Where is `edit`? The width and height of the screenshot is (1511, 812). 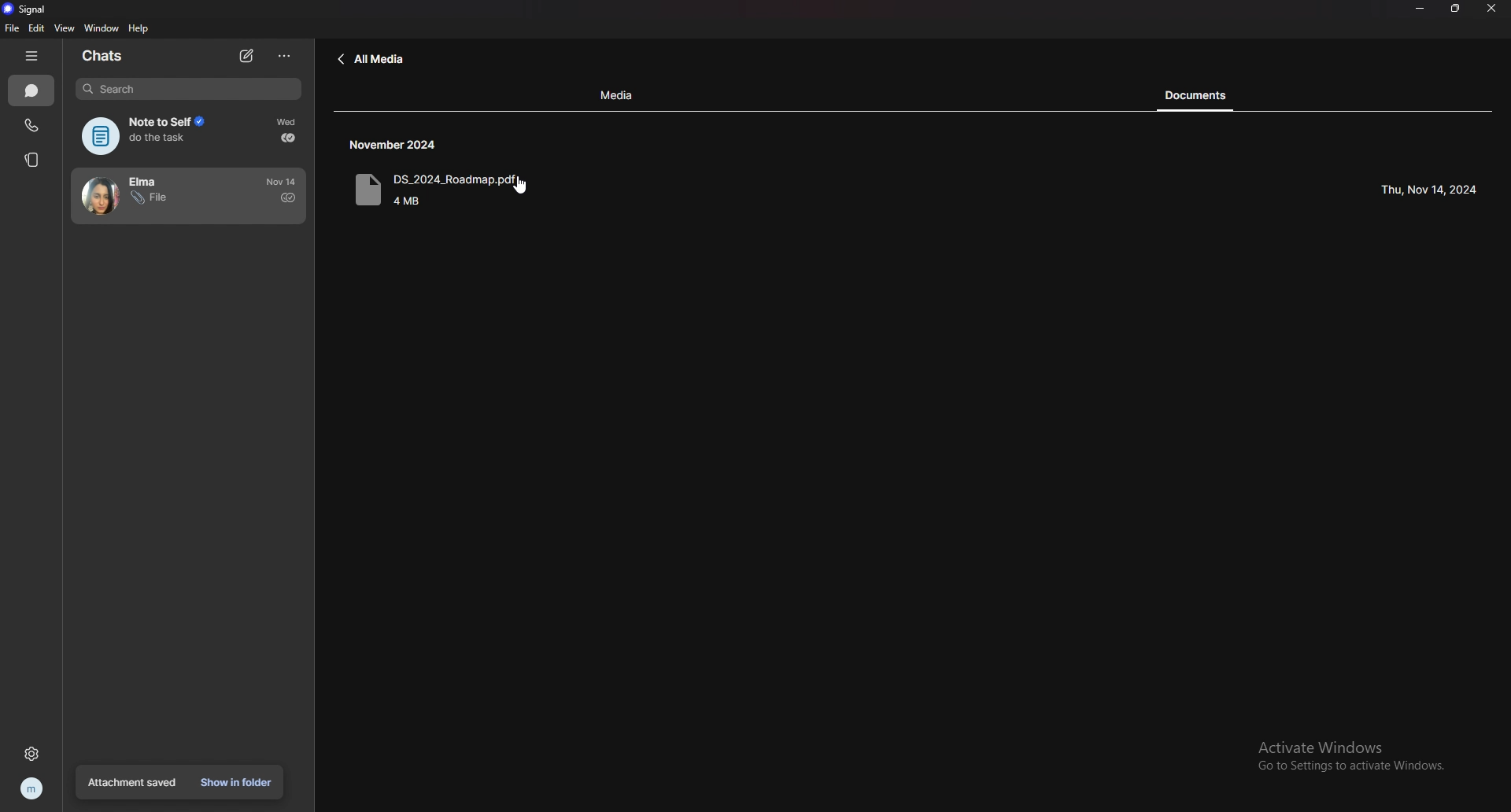
edit is located at coordinates (35, 29).